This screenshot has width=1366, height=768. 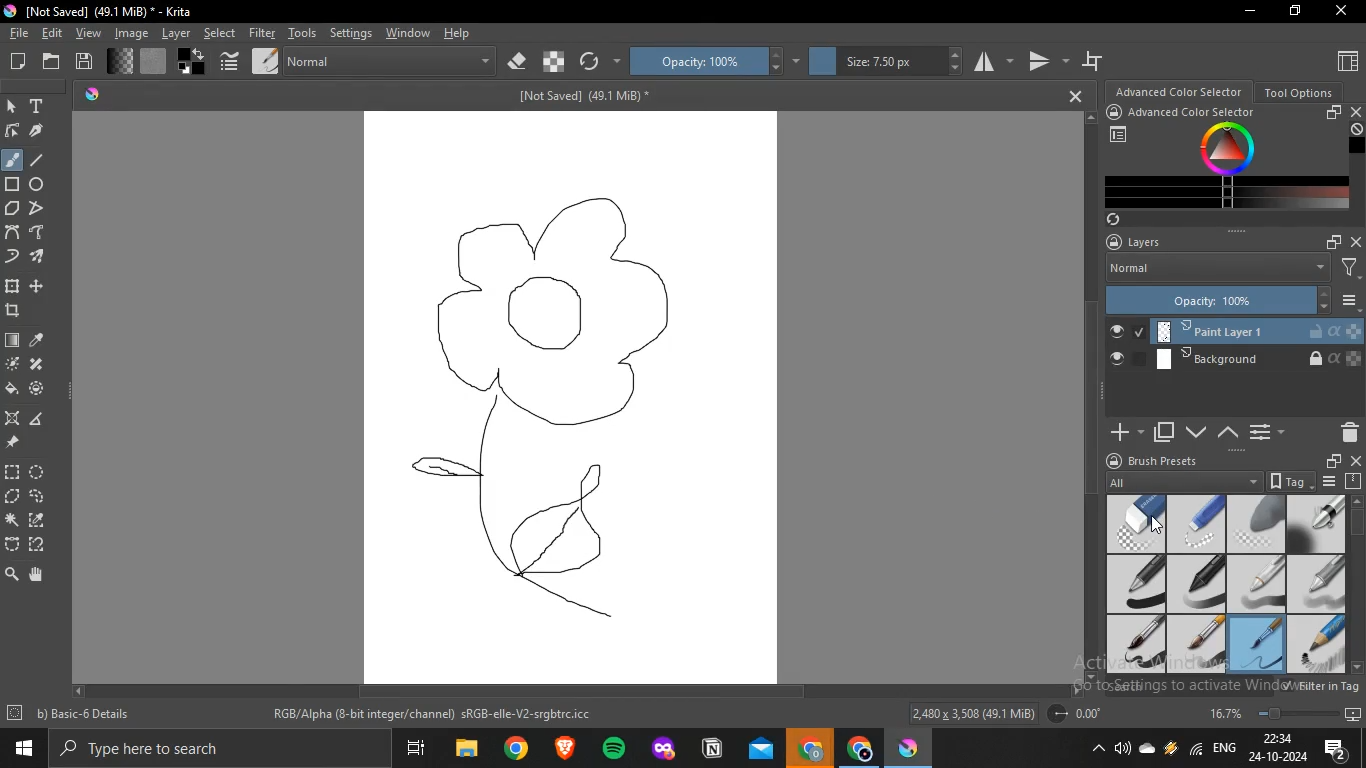 What do you see at coordinates (1257, 584) in the screenshot?
I see `basic 3 flow` at bounding box center [1257, 584].